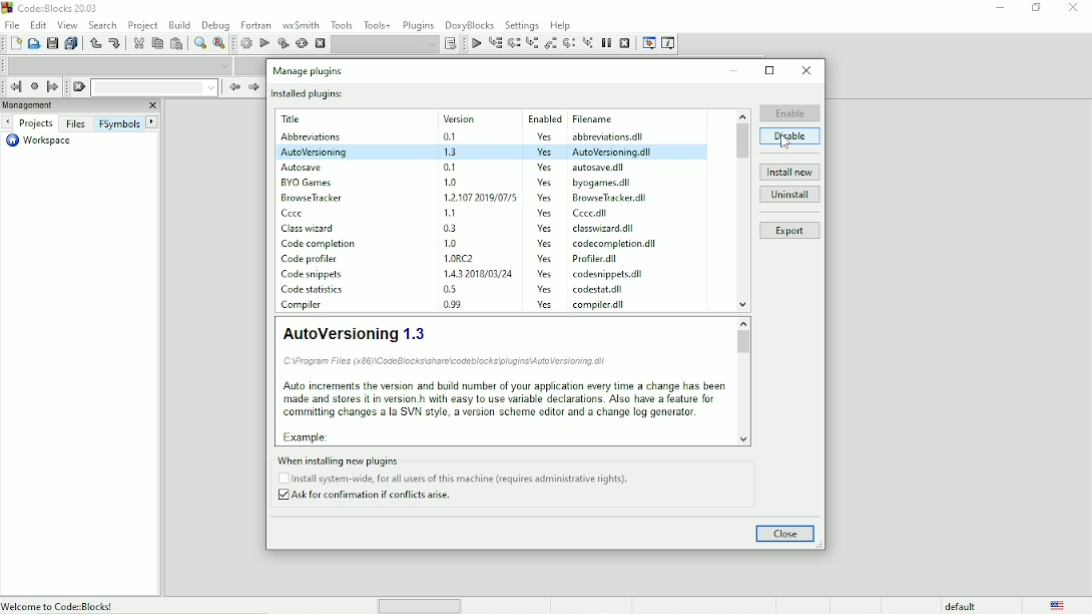 The image size is (1092, 614). I want to click on Jump forward, so click(53, 87).